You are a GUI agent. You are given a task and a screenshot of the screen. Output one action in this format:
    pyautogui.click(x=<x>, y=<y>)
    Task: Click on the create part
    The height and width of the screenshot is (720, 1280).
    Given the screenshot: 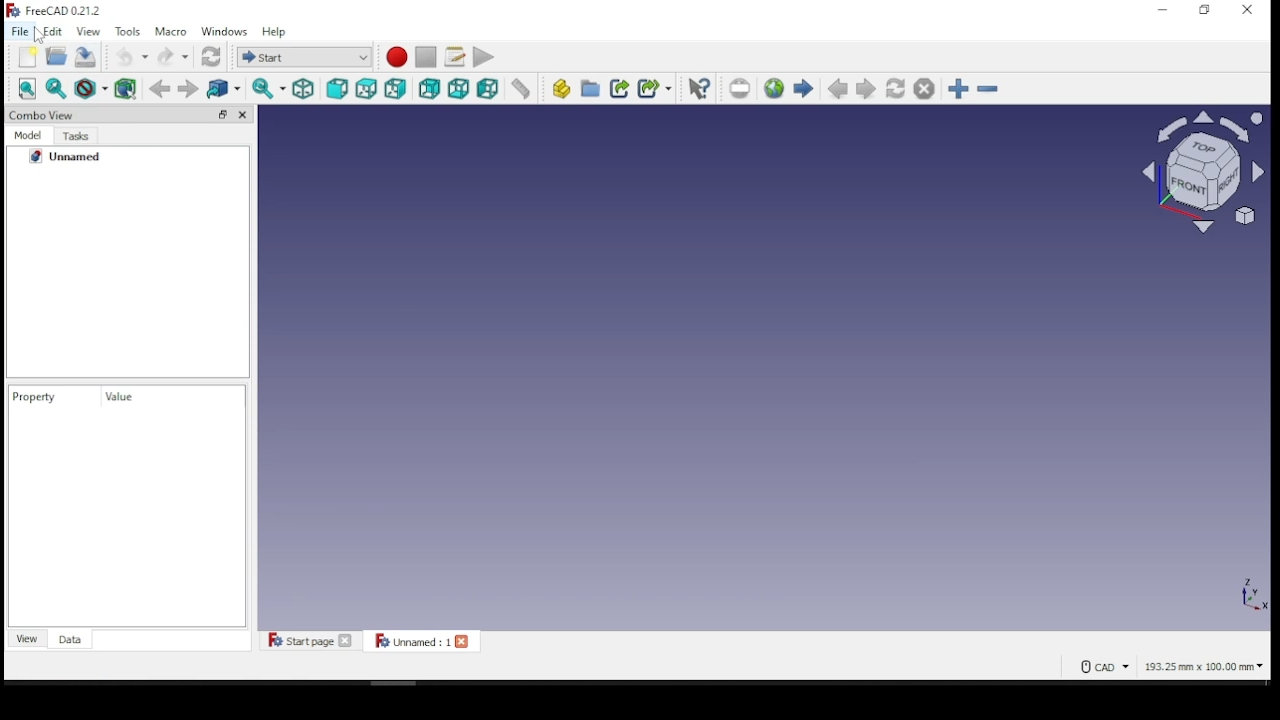 What is the action you would take?
    pyautogui.click(x=560, y=88)
    